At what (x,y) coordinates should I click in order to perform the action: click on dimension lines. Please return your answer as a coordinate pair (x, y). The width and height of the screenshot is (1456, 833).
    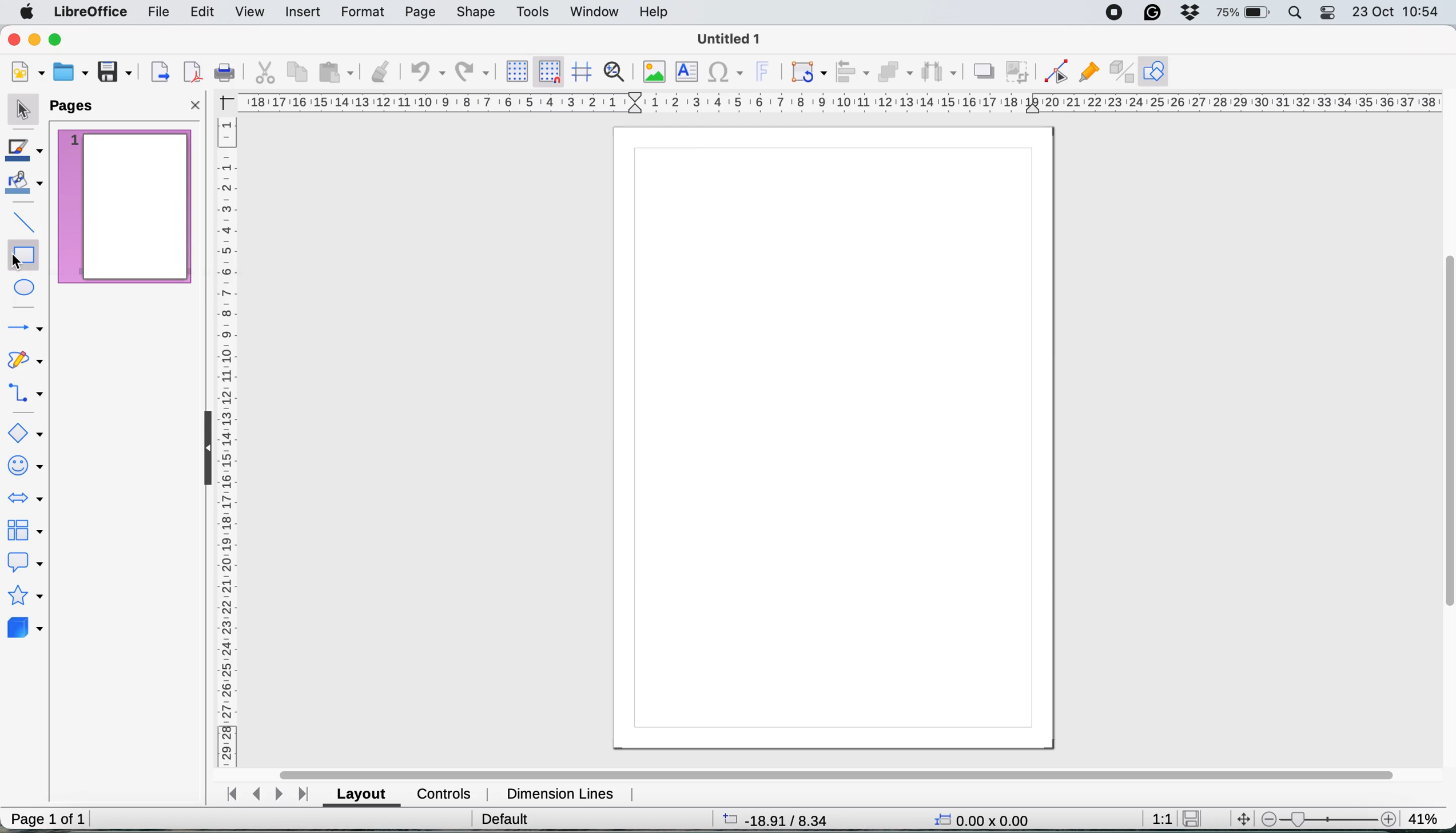
    Looking at the image, I should click on (562, 792).